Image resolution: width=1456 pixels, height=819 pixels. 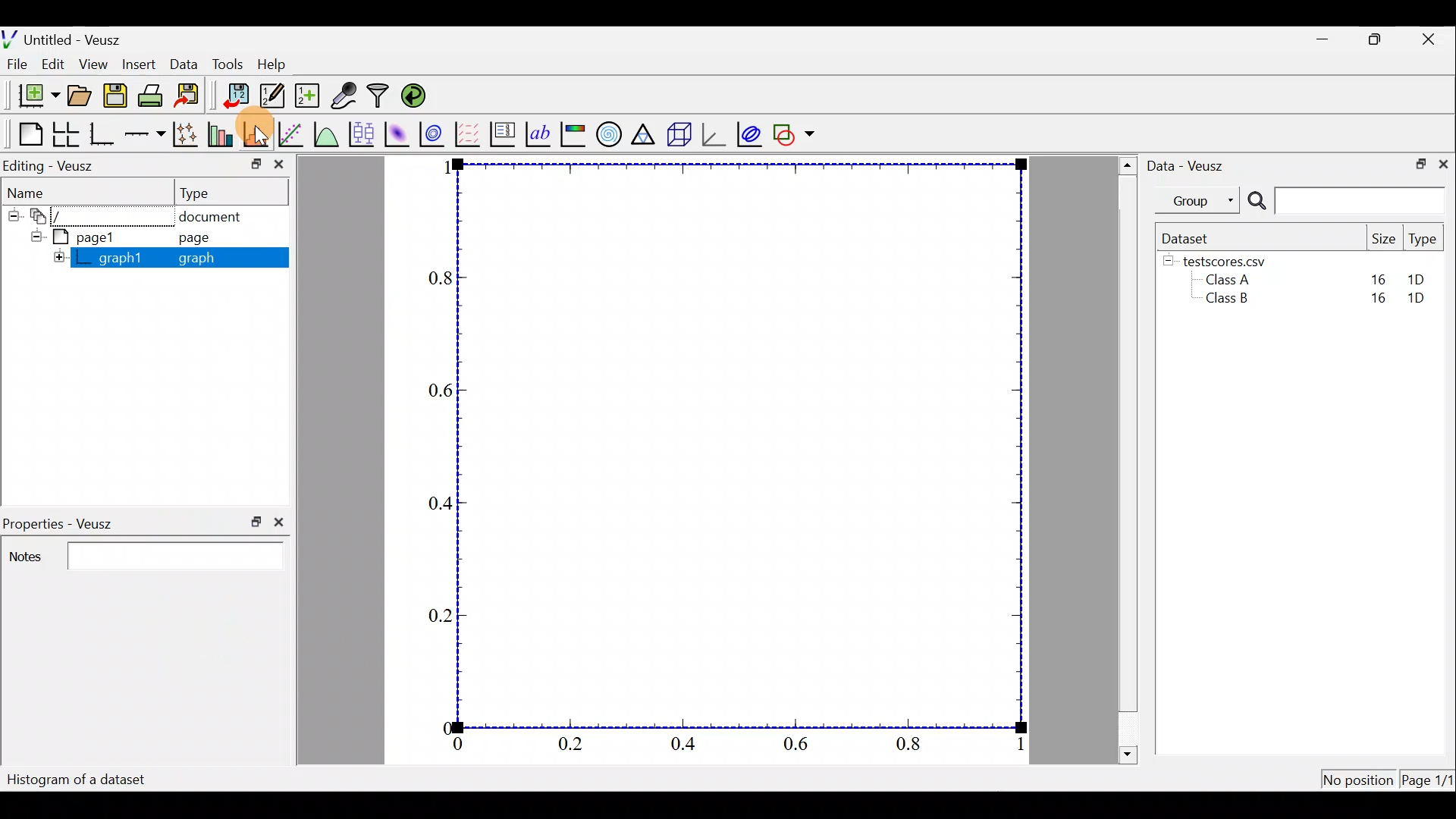 I want to click on 0.6, so click(x=436, y=389).